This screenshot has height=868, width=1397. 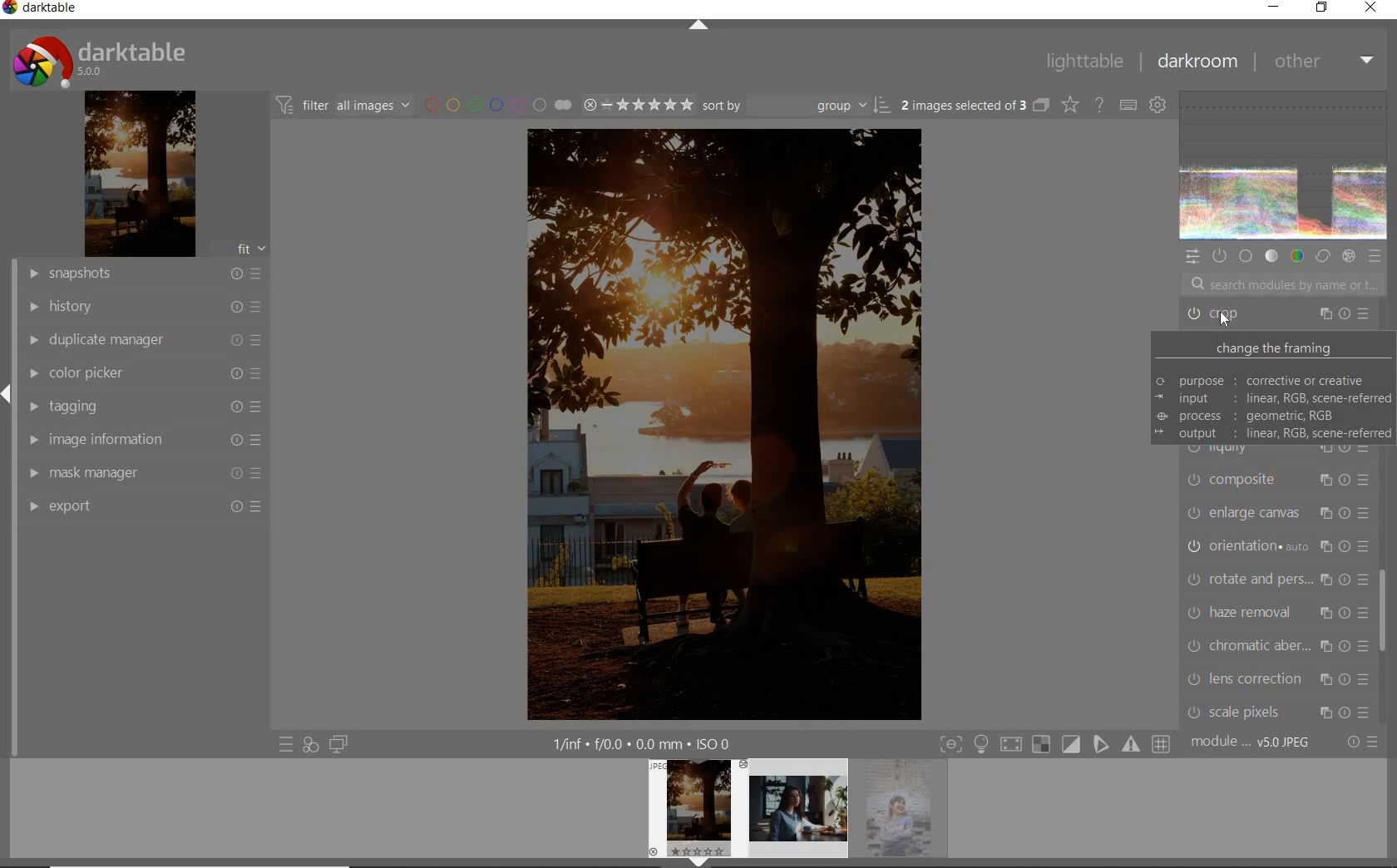 What do you see at coordinates (1281, 284) in the screenshot?
I see `search modules` at bounding box center [1281, 284].